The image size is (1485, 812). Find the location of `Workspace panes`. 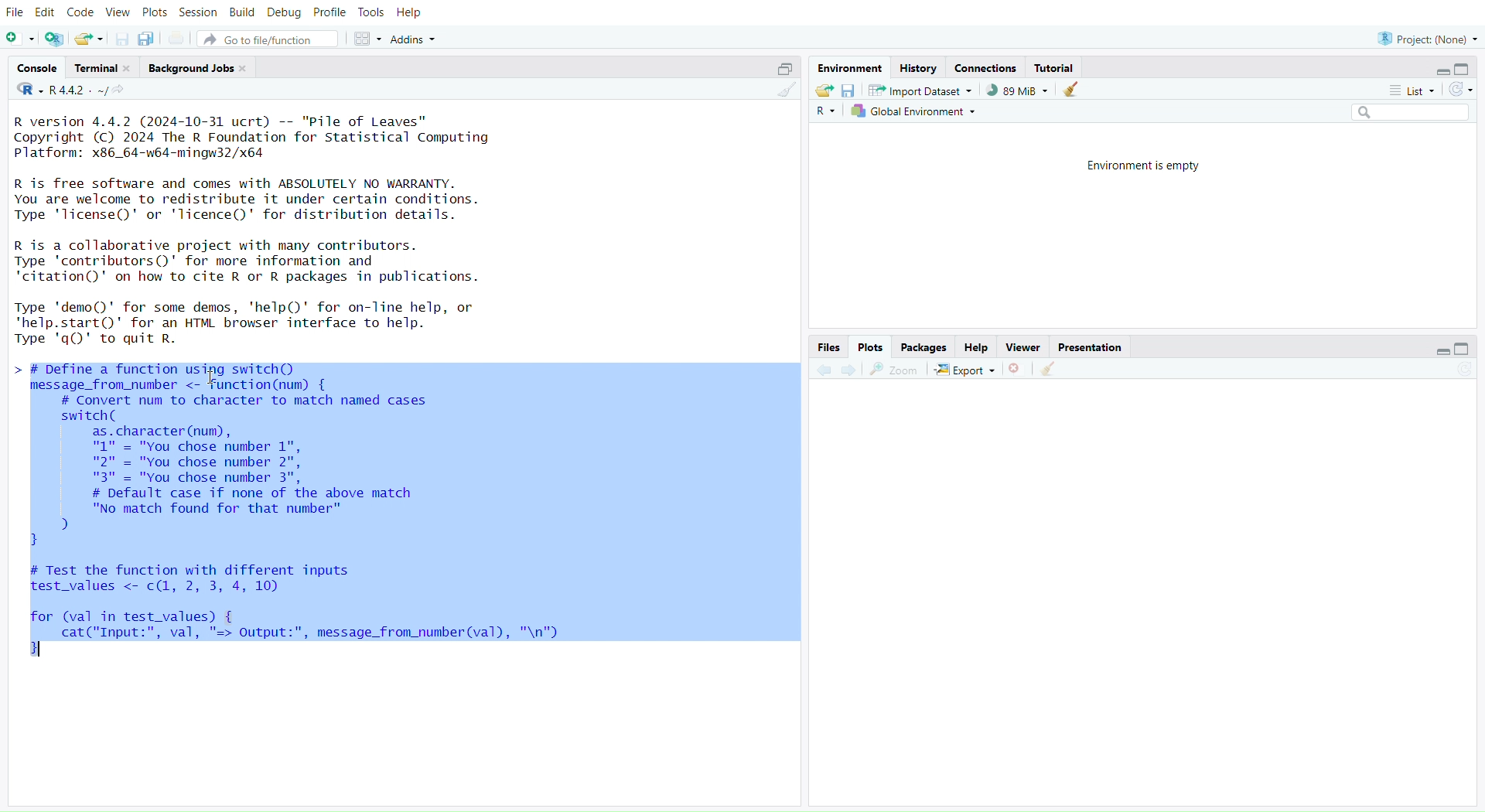

Workspace panes is located at coordinates (366, 39).